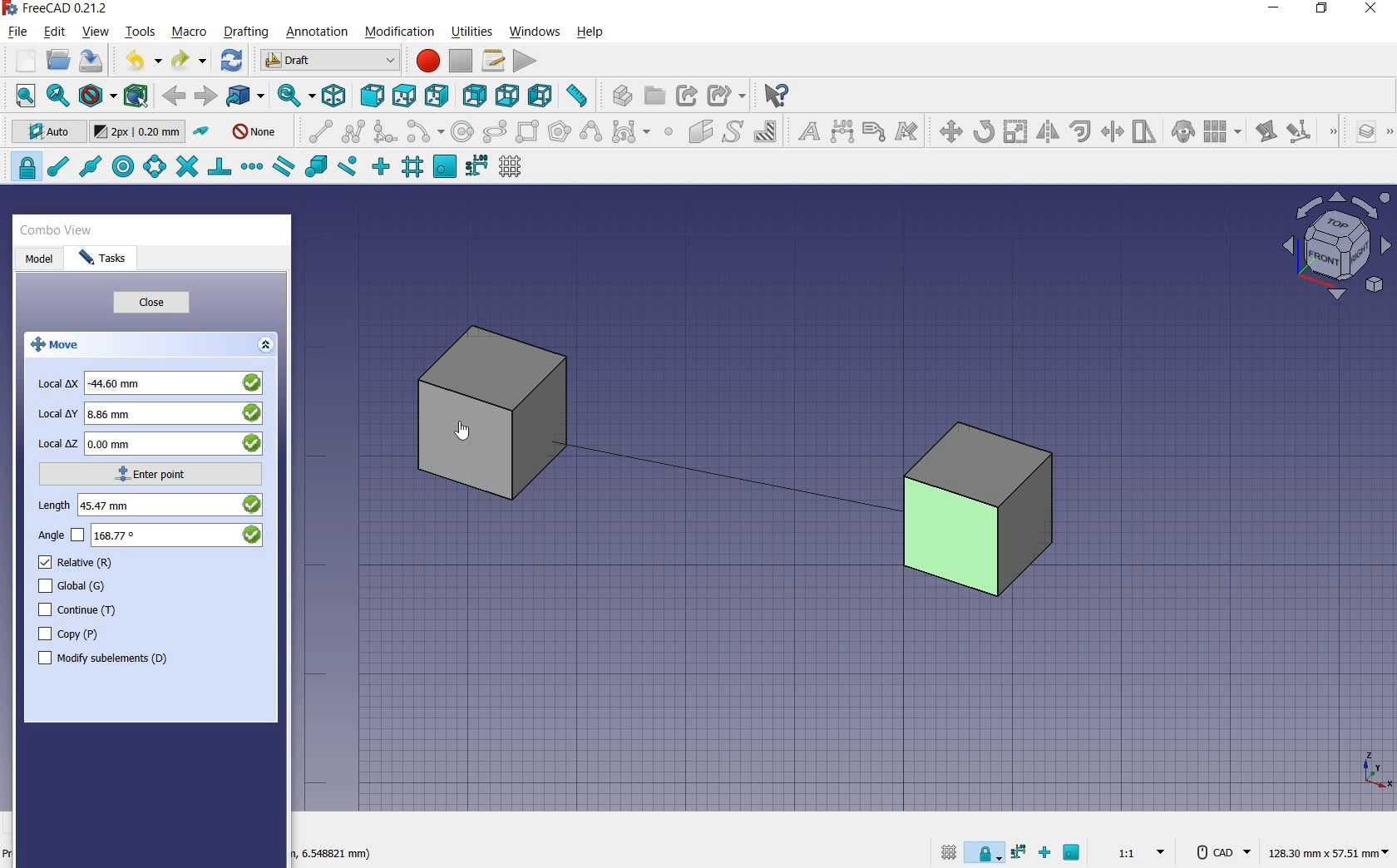 The width and height of the screenshot is (1397, 868). Describe the element at coordinates (542, 96) in the screenshot. I see `left` at that location.